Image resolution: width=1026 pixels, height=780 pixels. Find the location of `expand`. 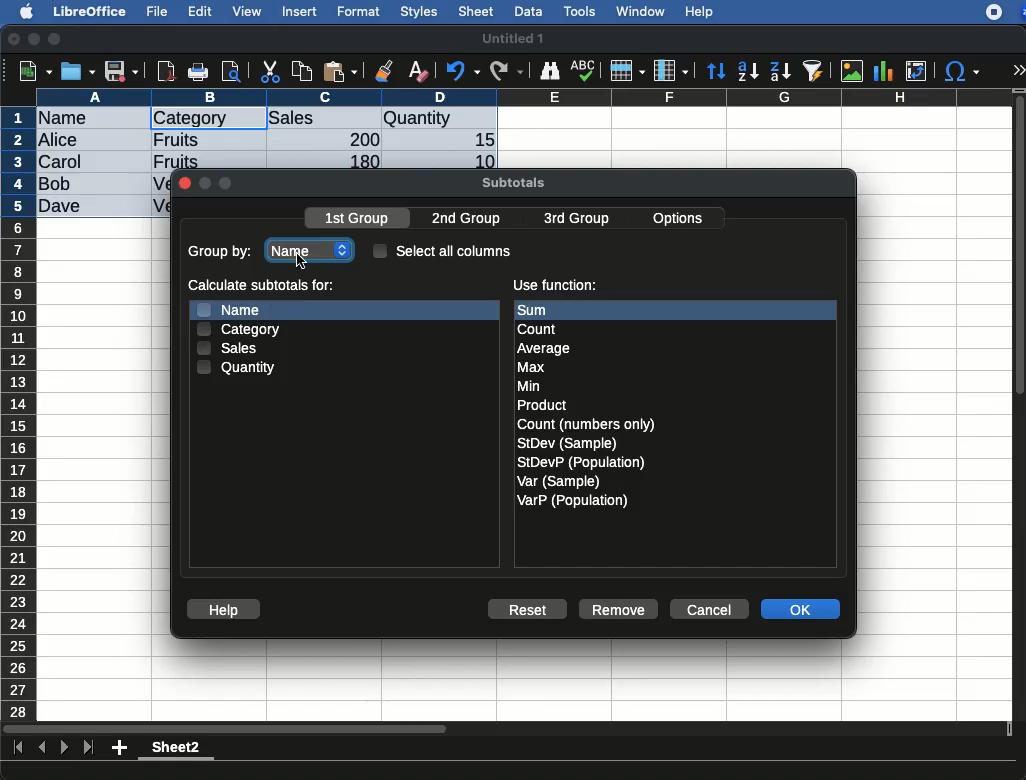

expand is located at coordinates (1018, 70).